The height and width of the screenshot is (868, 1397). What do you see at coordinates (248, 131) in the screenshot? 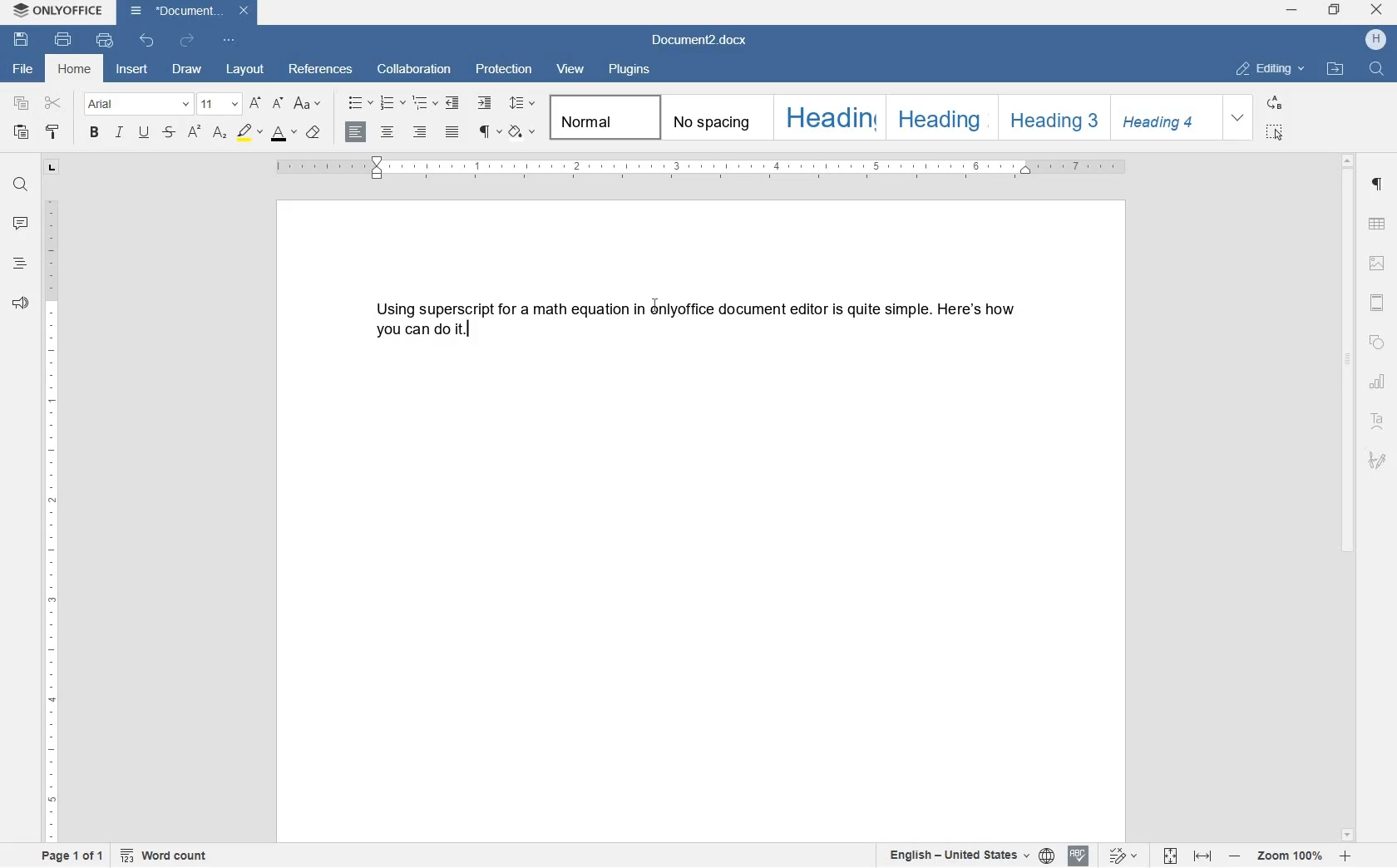
I see `highlight color` at bounding box center [248, 131].